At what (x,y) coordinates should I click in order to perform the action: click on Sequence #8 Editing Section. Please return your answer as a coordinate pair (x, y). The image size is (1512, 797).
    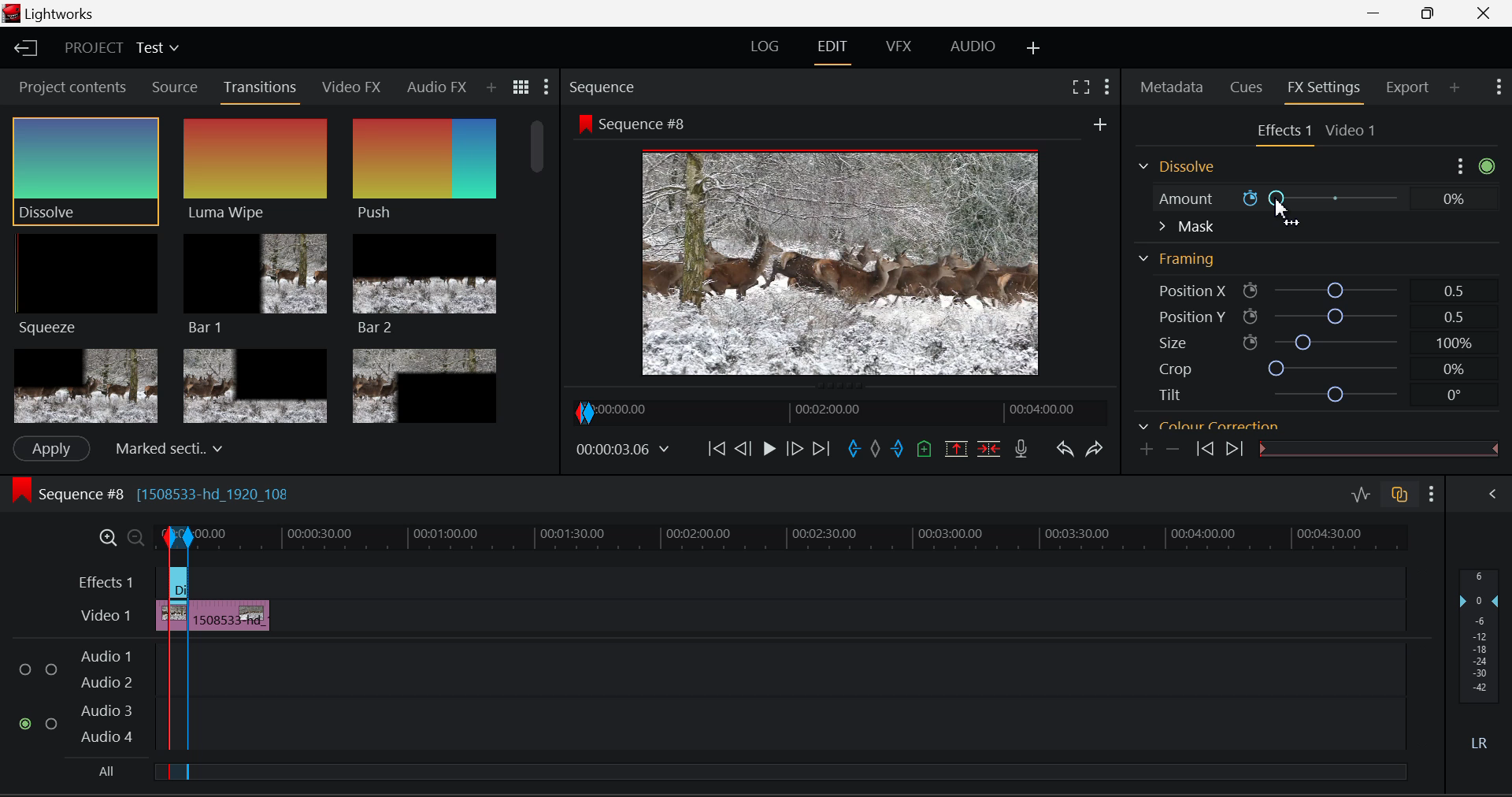
    Looking at the image, I should click on (198, 496).